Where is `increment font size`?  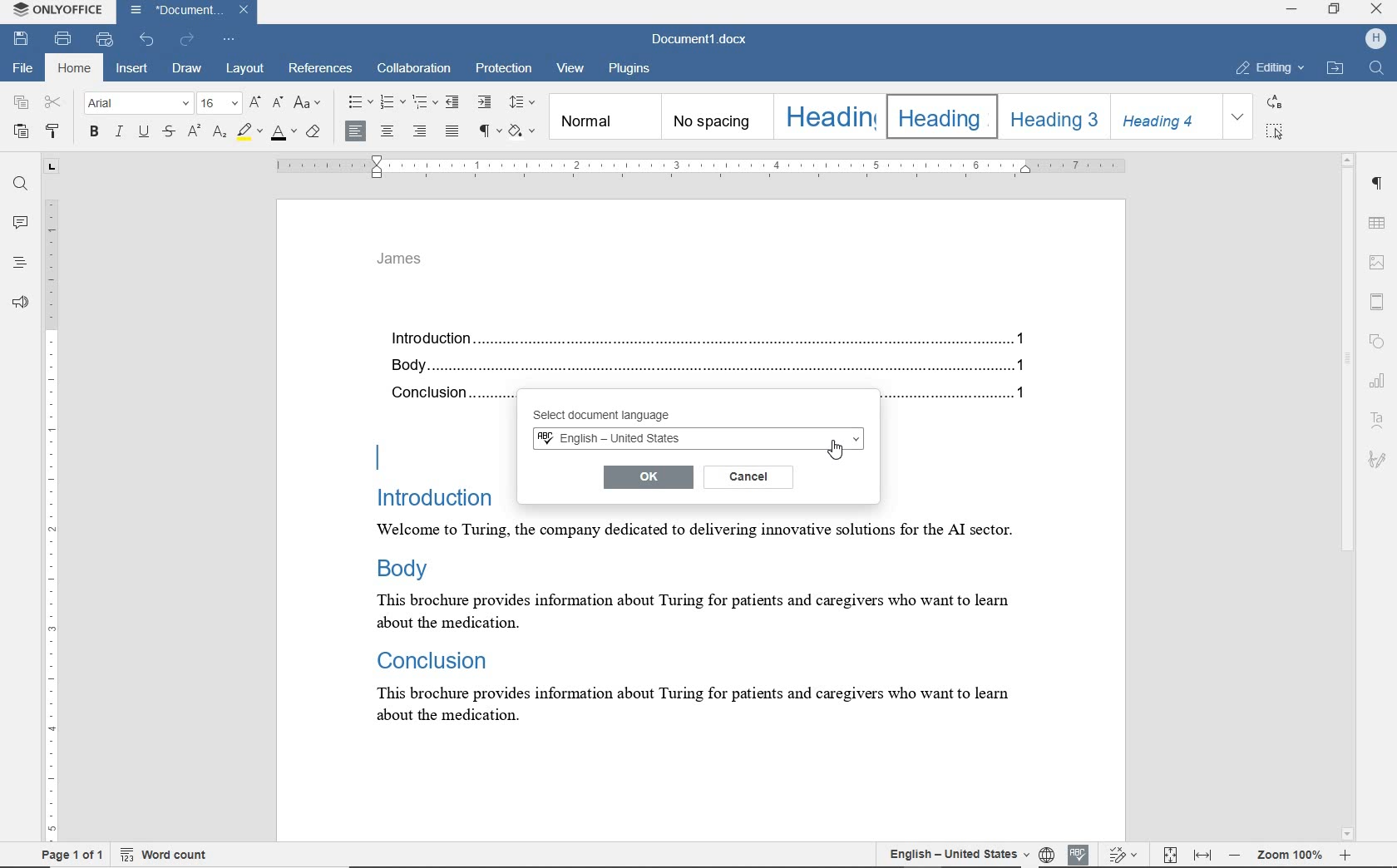 increment font size is located at coordinates (254, 103).